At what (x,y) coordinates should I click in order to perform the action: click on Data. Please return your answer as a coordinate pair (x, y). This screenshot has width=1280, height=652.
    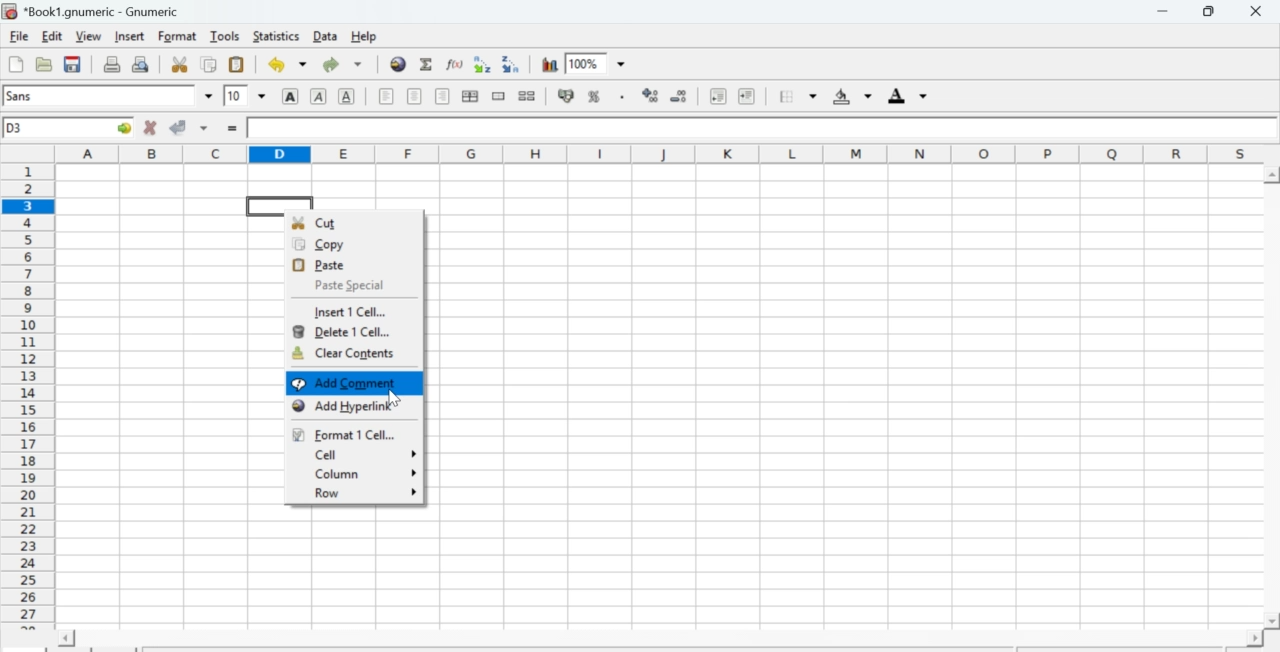
    Looking at the image, I should click on (326, 36).